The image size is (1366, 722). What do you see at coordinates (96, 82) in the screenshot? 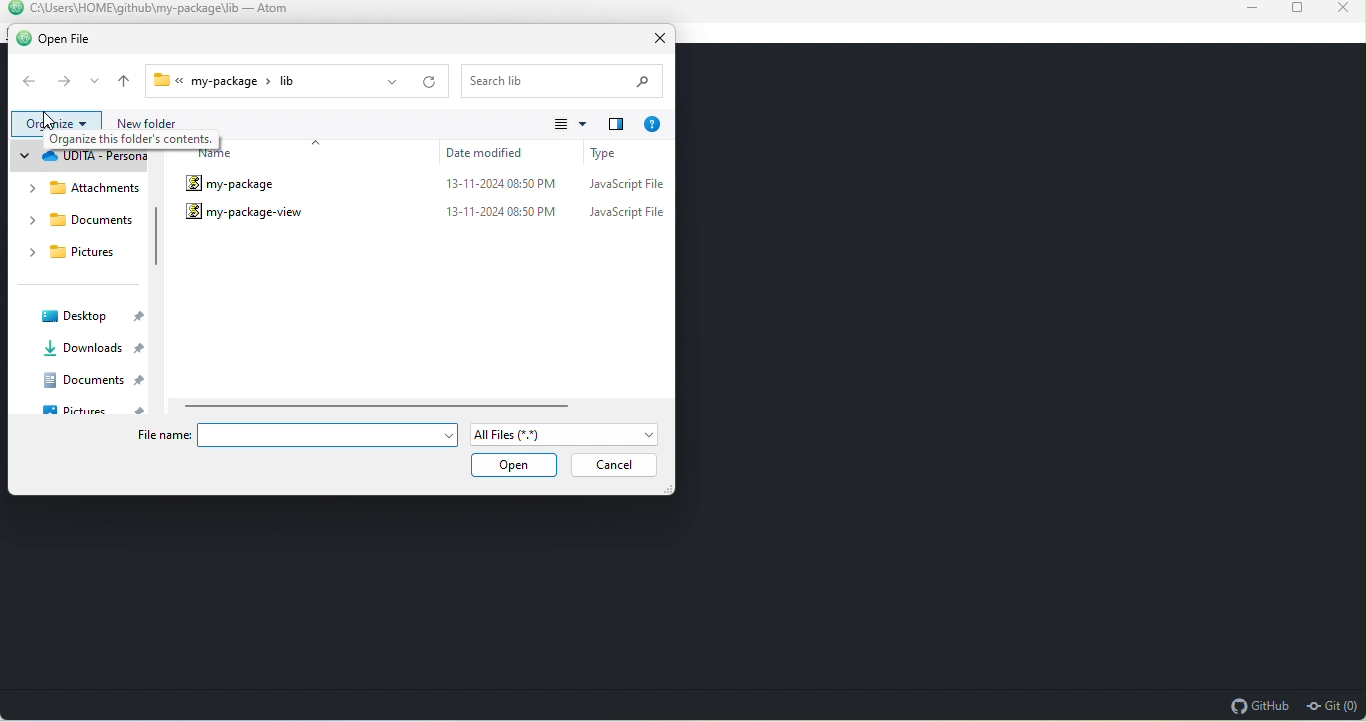
I see `recent location ` at bounding box center [96, 82].